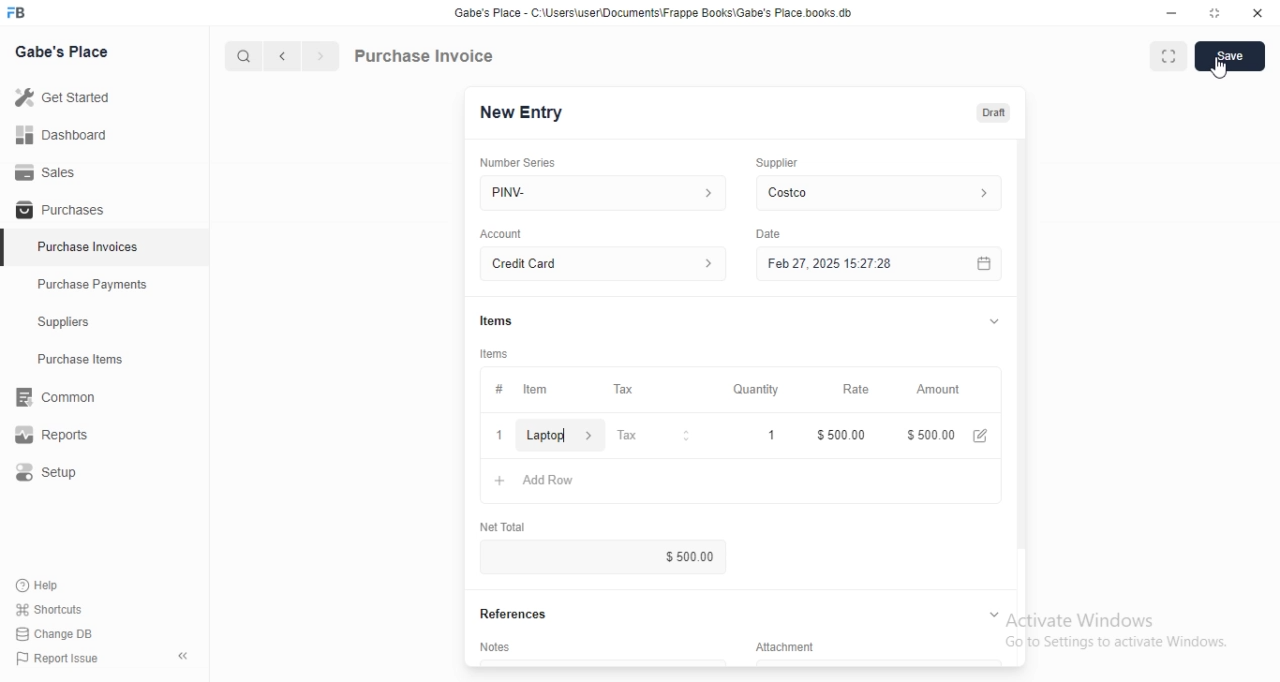  Describe the element at coordinates (105, 359) in the screenshot. I see `Purchase Items` at that location.